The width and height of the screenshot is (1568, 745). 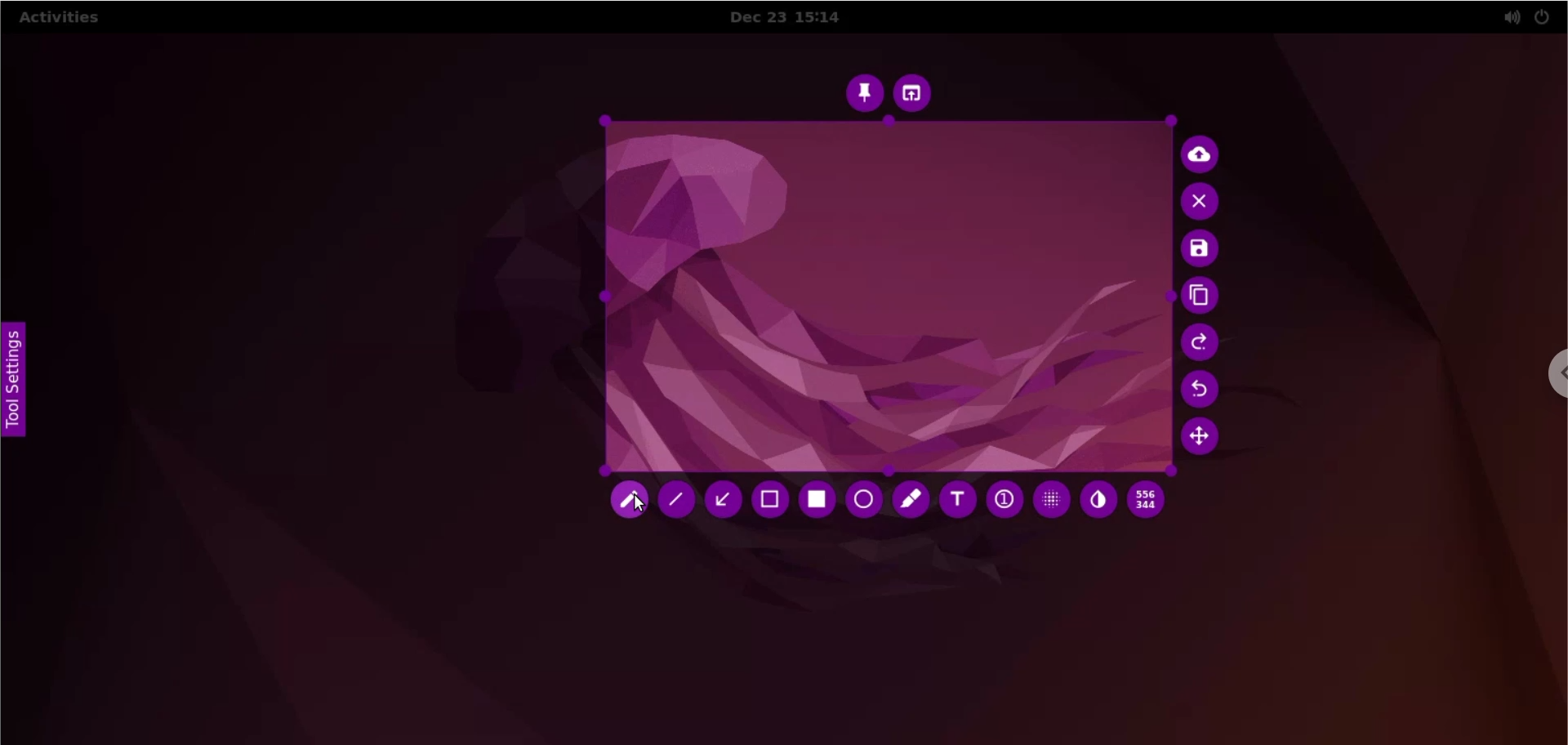 What do you see at coordinates (959, 502) in the screenshot?
I see `text tool` at bounding box center [959, 502].